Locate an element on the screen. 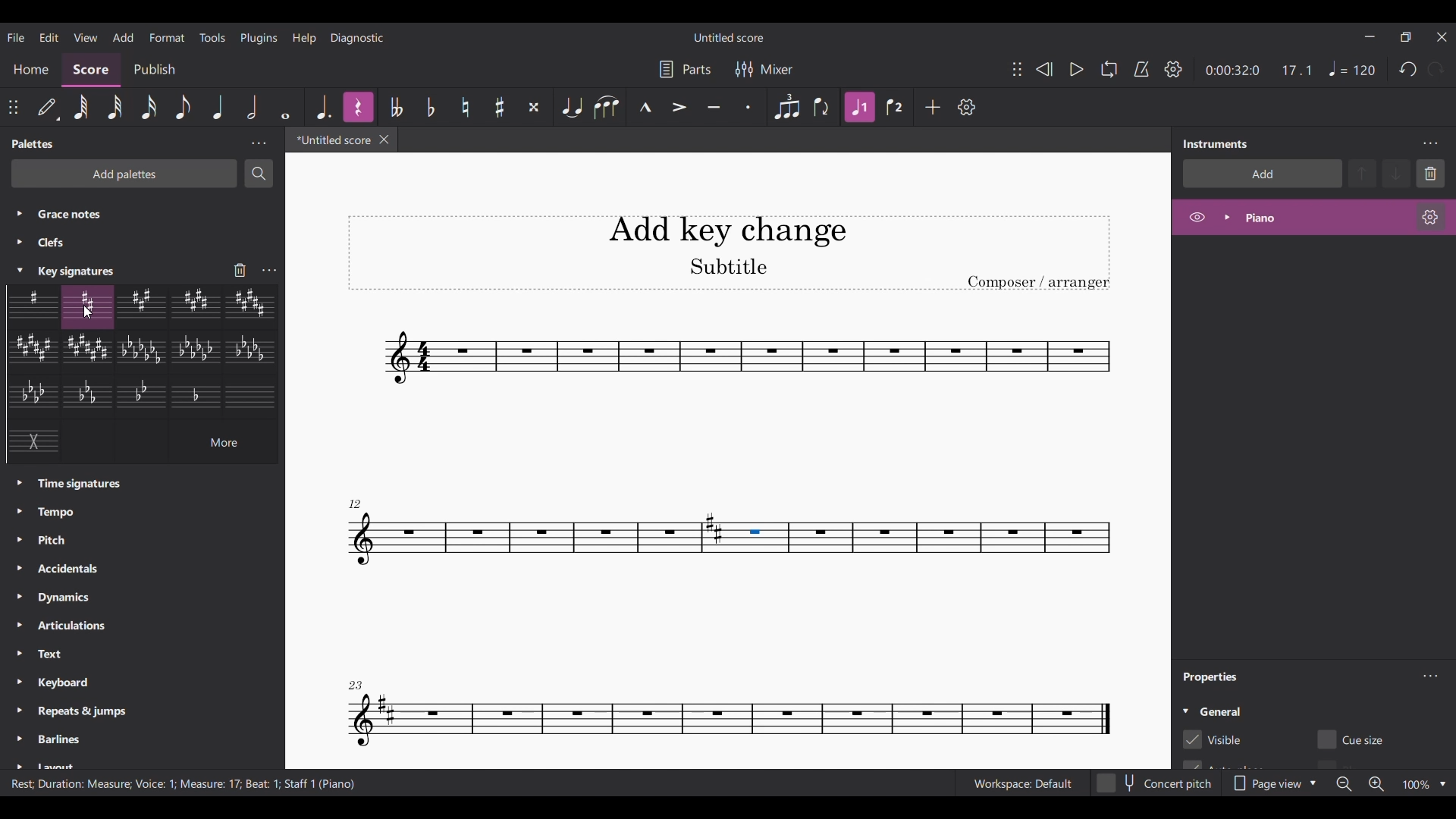 This screenshot has width=1456, height=819. Show interface in a smaller tab is located at coordinates (1405, 37).